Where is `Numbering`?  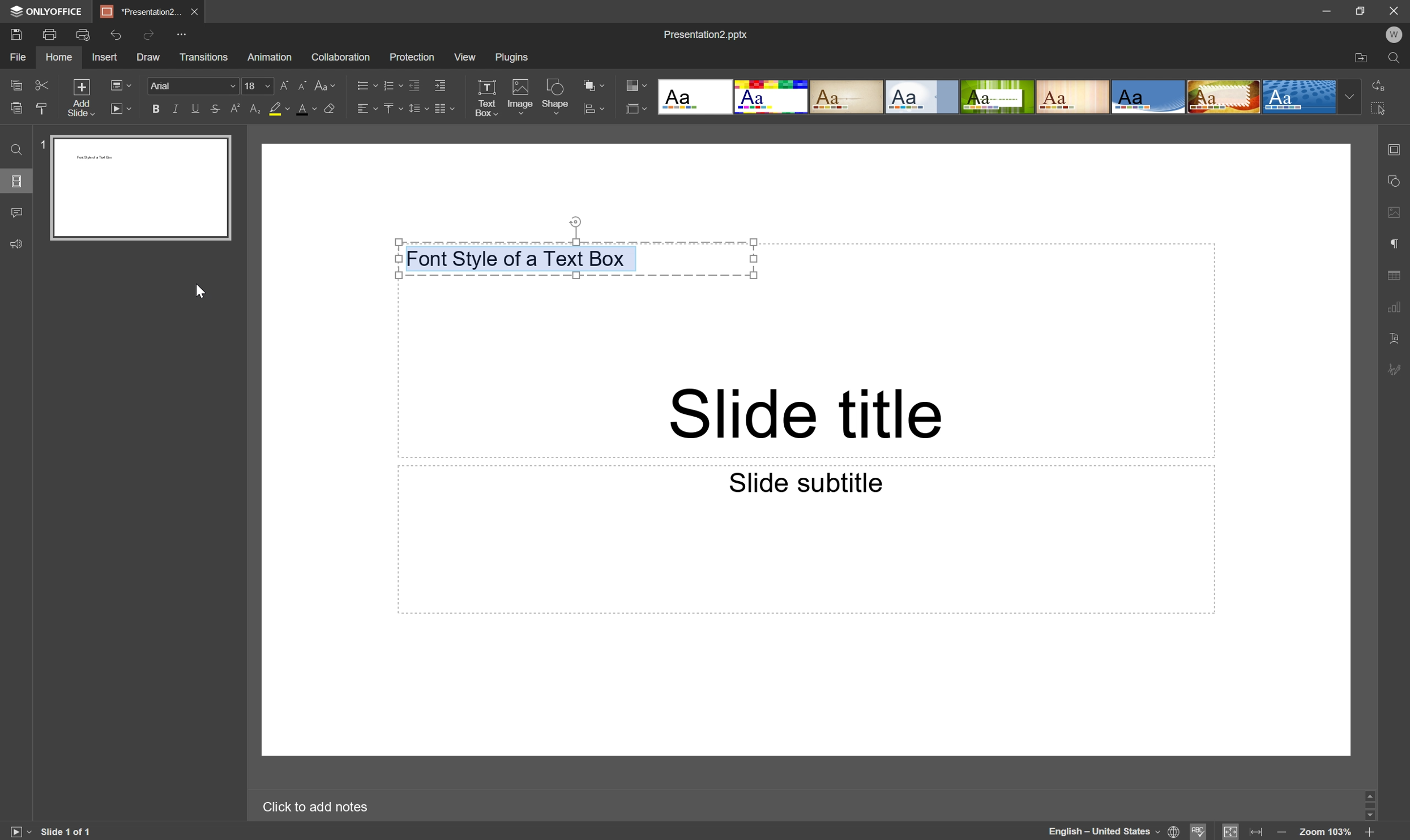
Numbering is located at coordinates (390, 82).